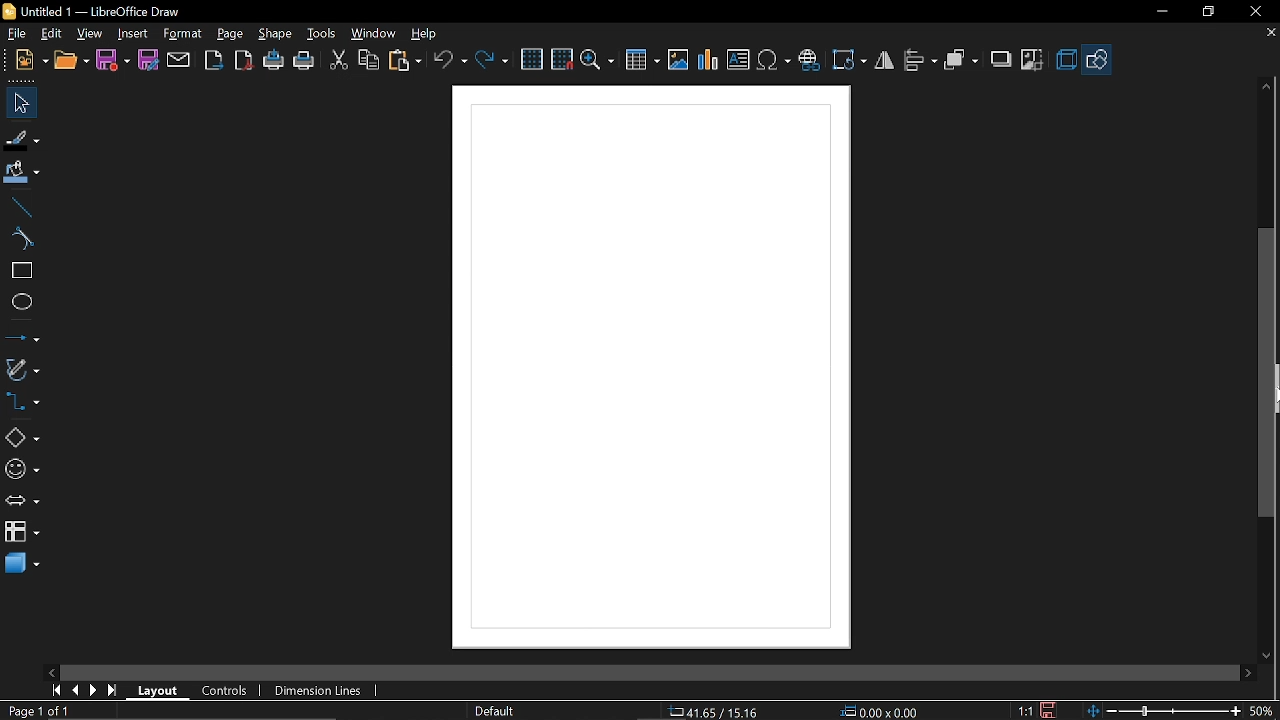 This screenshot has height=720, width=1280. Describe the element at coordinates (229, 691) in the screenshot. I see `controls` at that location.